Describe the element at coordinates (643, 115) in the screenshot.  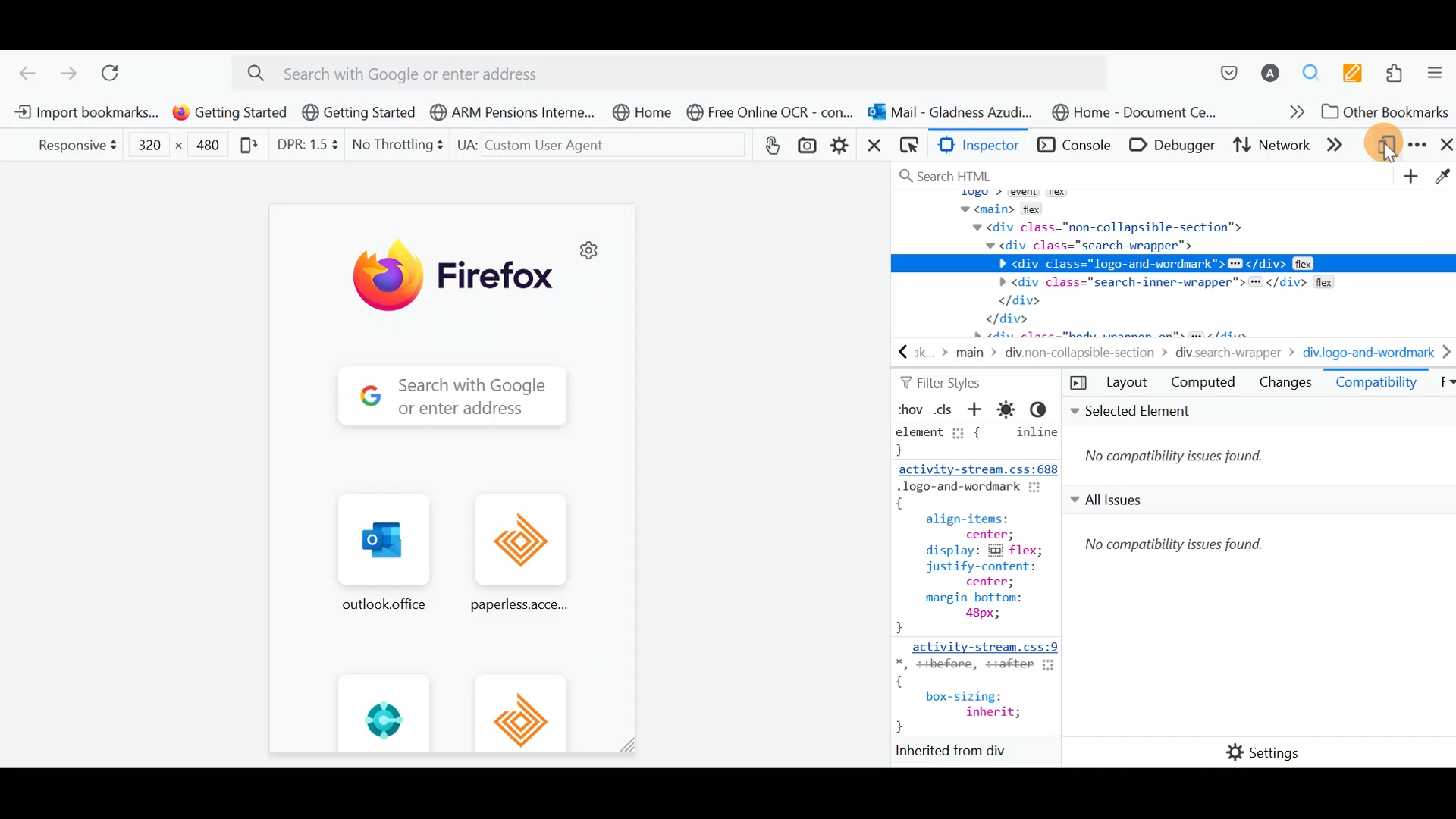
I see `Bookmark 5` at that location.